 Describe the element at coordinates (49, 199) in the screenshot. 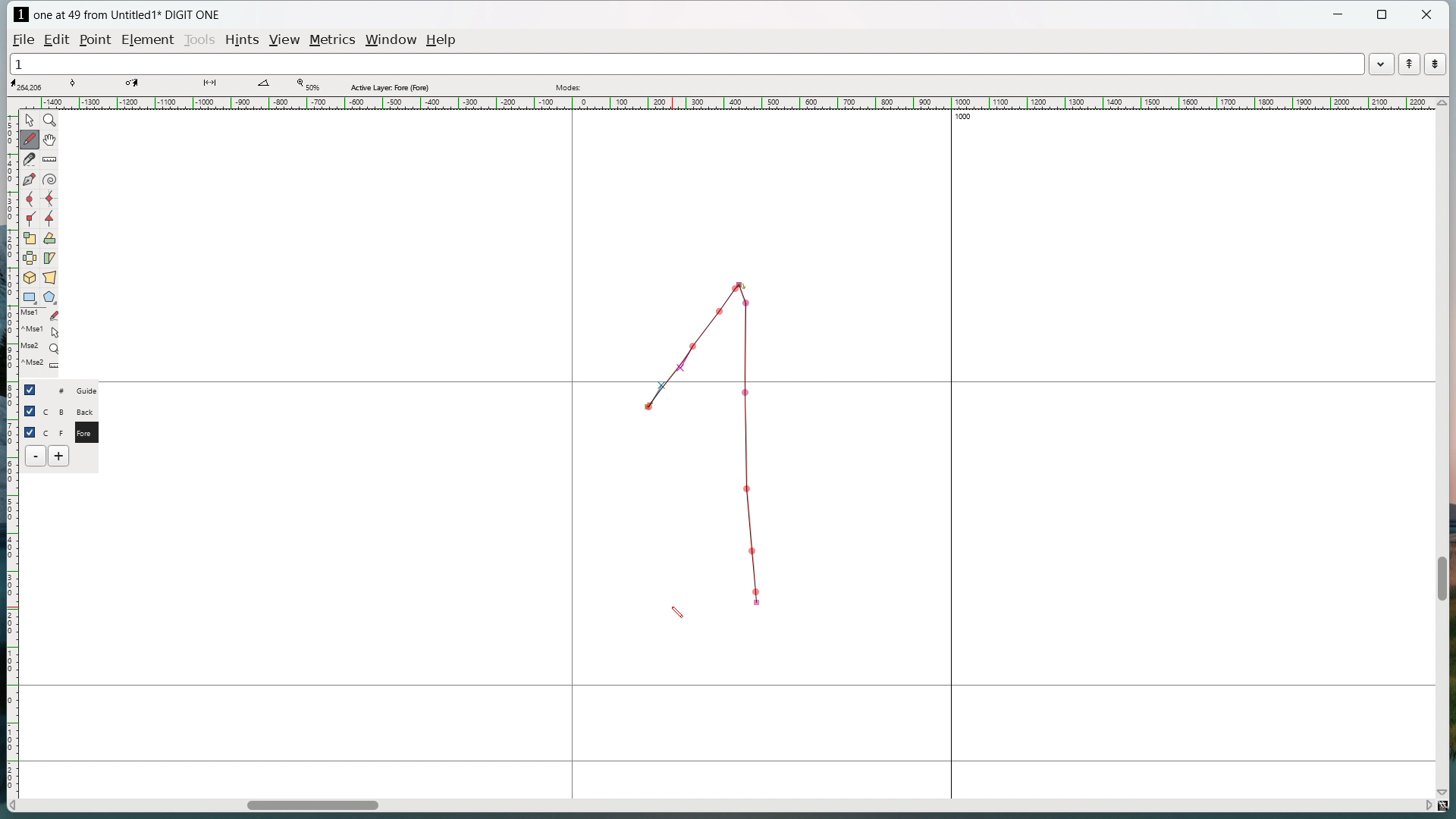

I see `add a curve point always either vertical or horizontal` at that location.